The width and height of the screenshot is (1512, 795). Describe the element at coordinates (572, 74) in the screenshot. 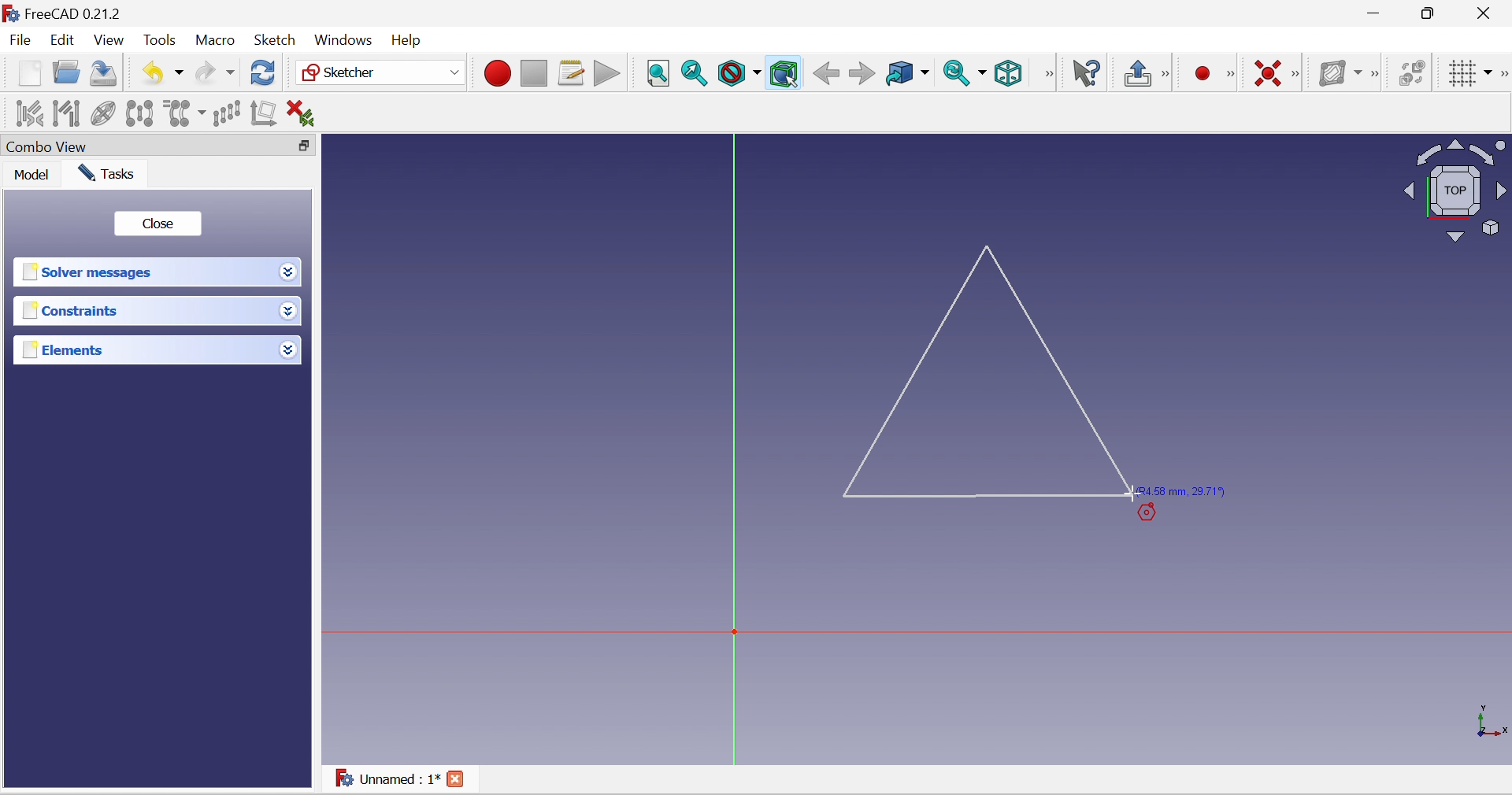

I see `Macros` at that location.